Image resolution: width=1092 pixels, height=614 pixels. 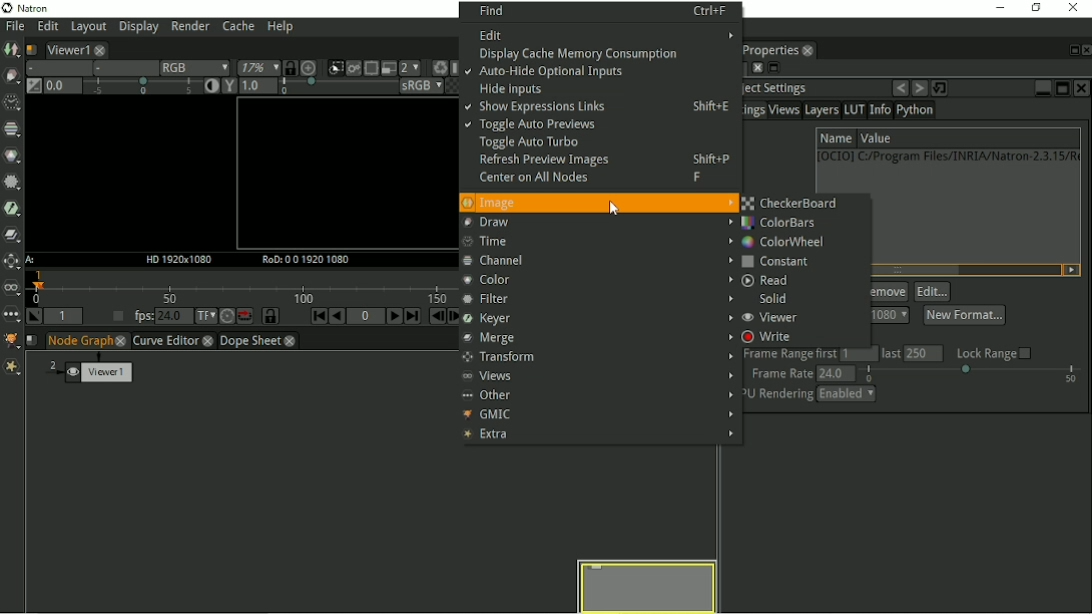 I want to click on 1 [0CIO0] C:/Program Files/INRIA/Natron-2.3.15/R(, so click(x=948, y=156).